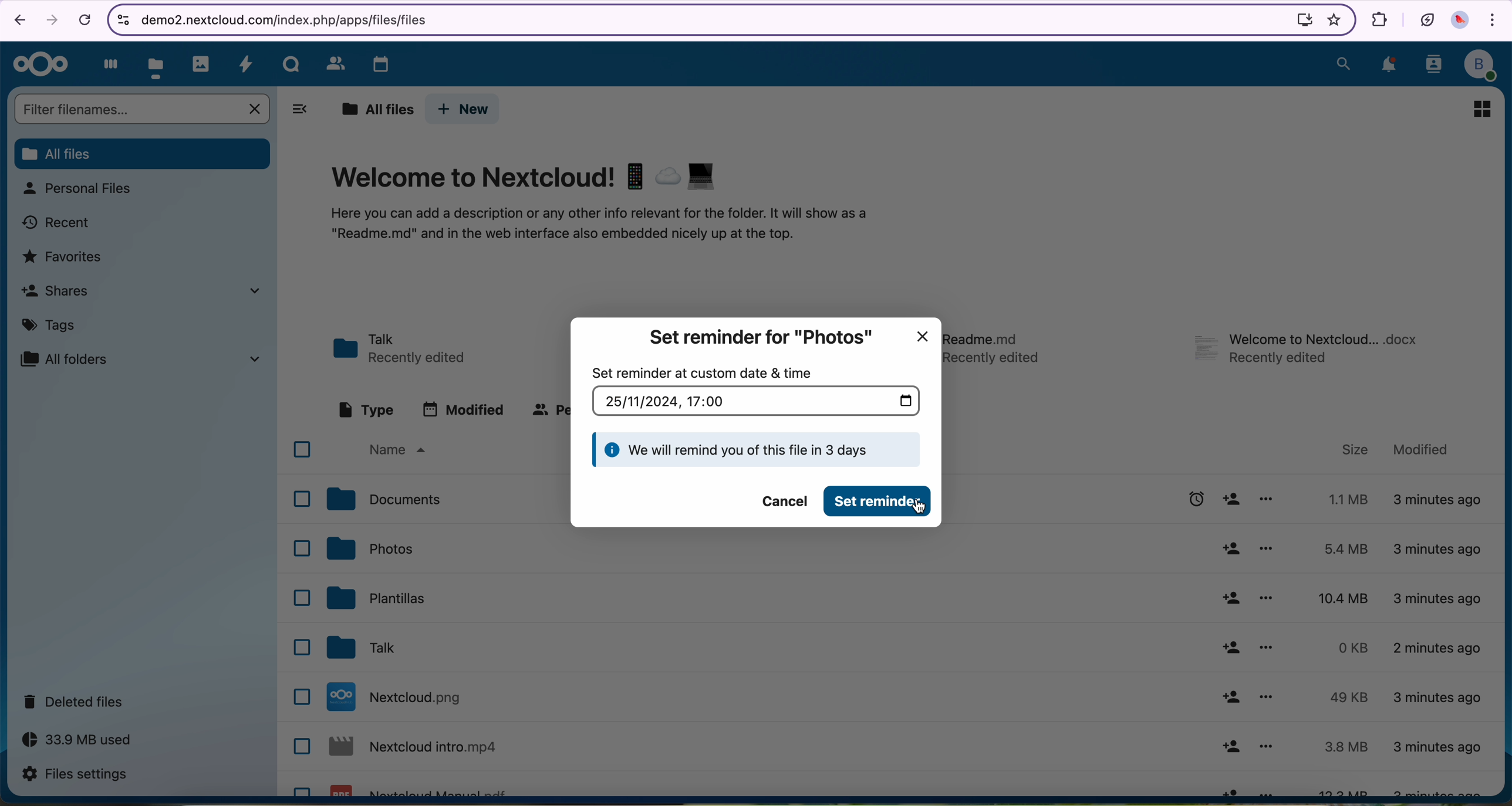 The width and height of the screenshot is (1512, 806). What do you see at coordinates (922, 510) in the screenshot?
I see `cursor` at bounding box center [922, 510].